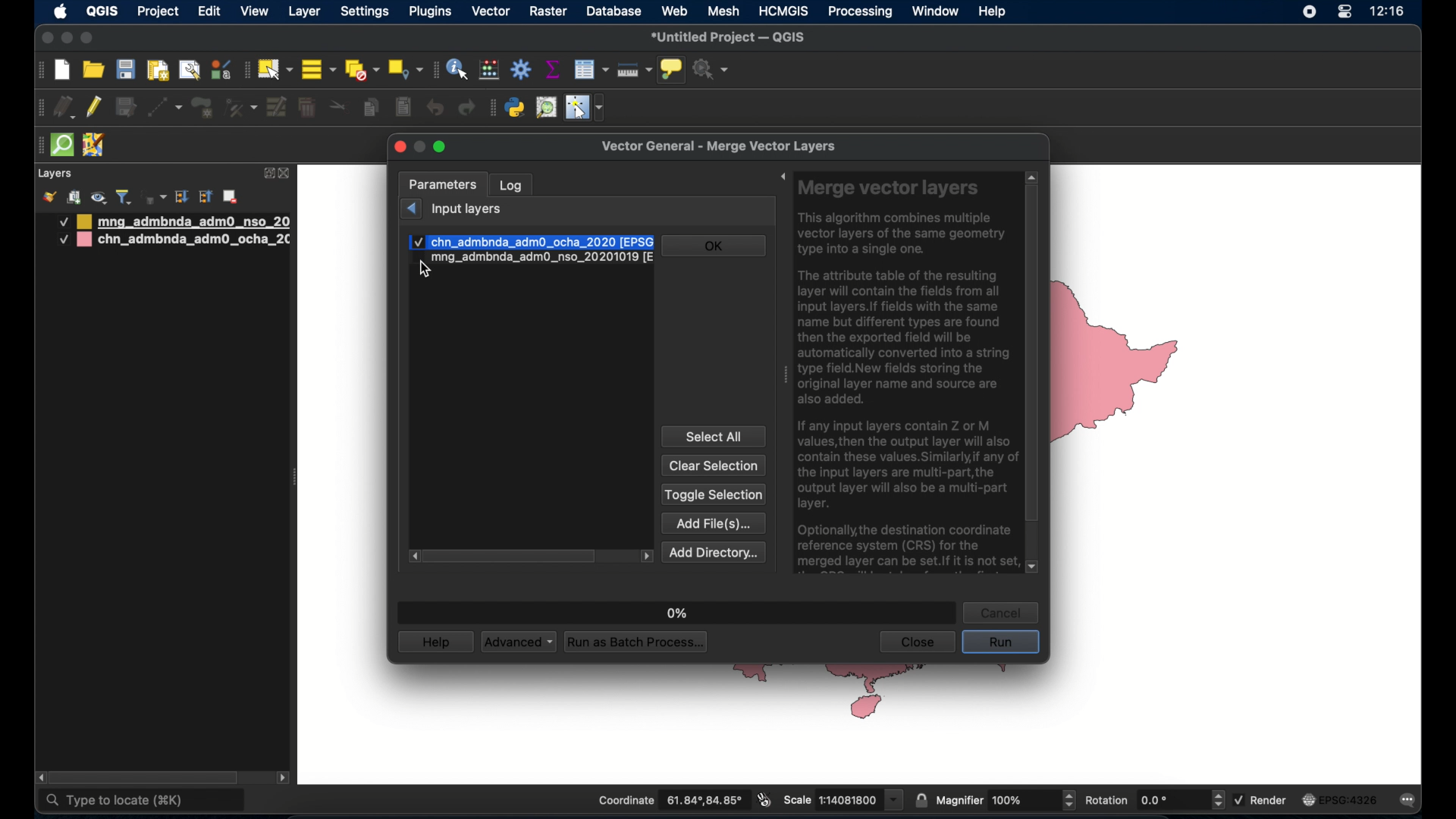  I want to click on open layer styling panel, so click(49, 197).